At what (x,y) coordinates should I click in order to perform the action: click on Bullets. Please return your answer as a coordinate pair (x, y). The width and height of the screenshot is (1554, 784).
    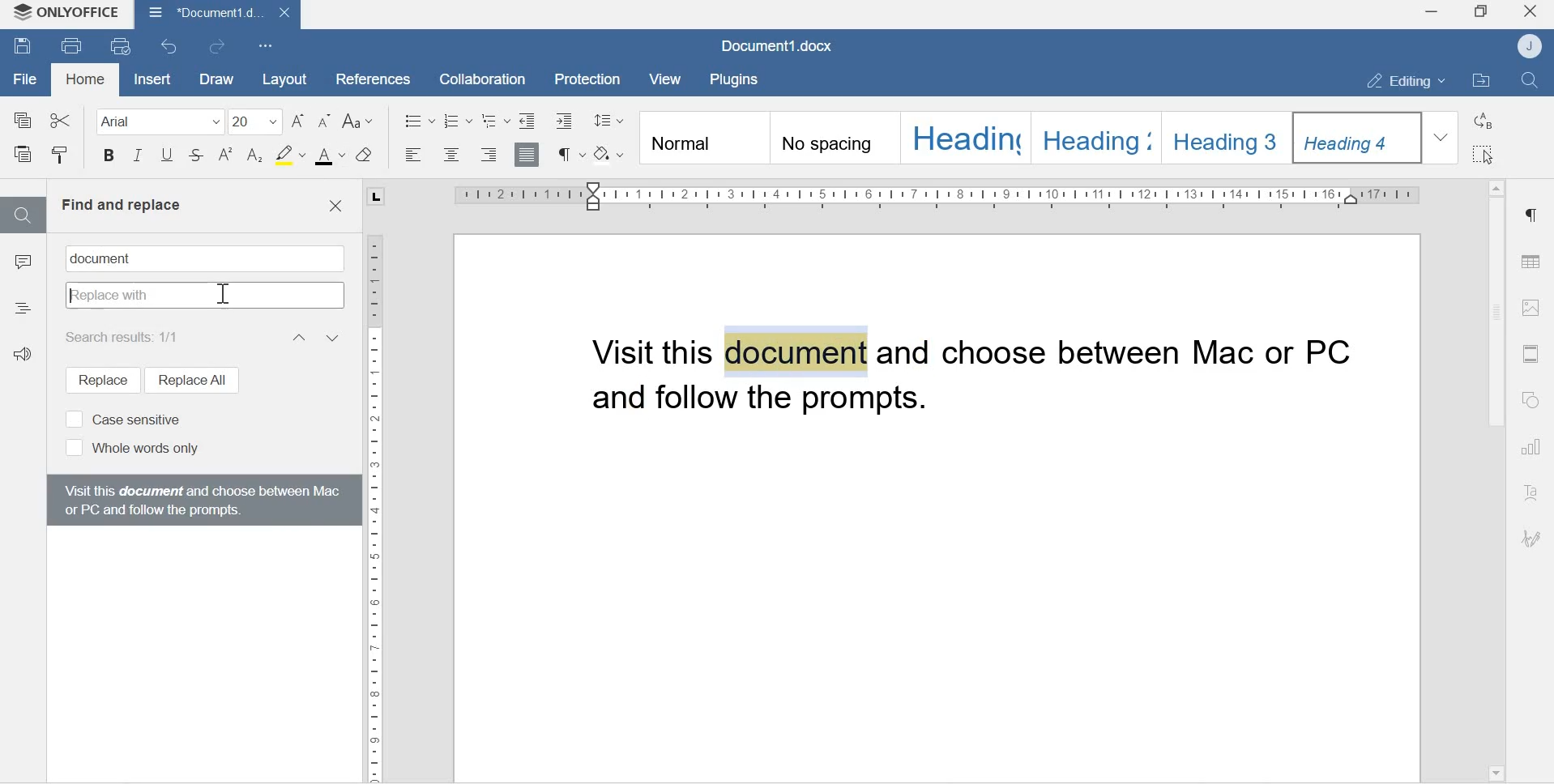
    Looking at the image, I should click on (419, 119).